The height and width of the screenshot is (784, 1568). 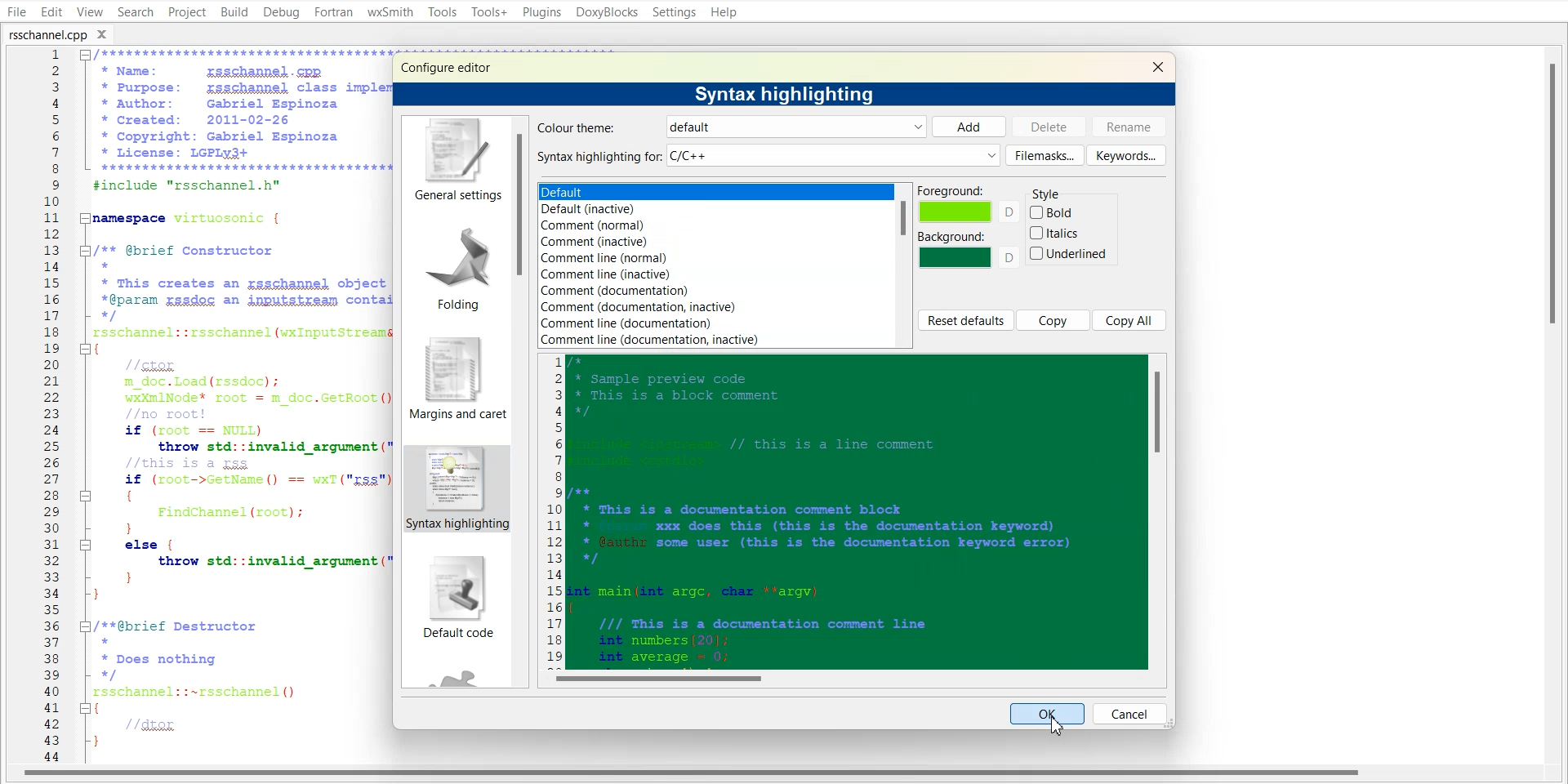 I want to click on Keywords, so click(x=1126, y=154).